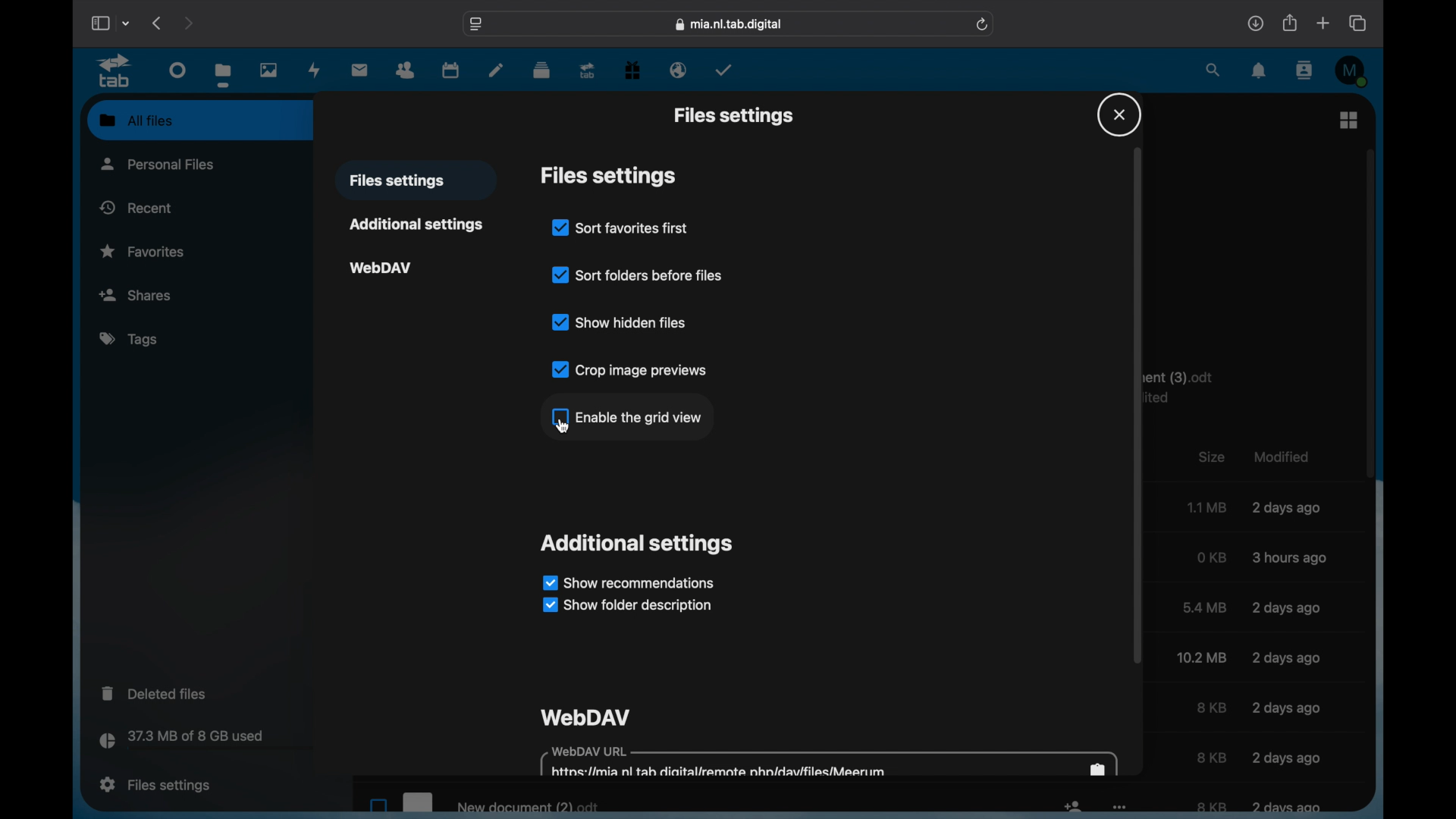 The width and height of the screenshot is (1456, 819). I want to click on size, so click(1211, 807).